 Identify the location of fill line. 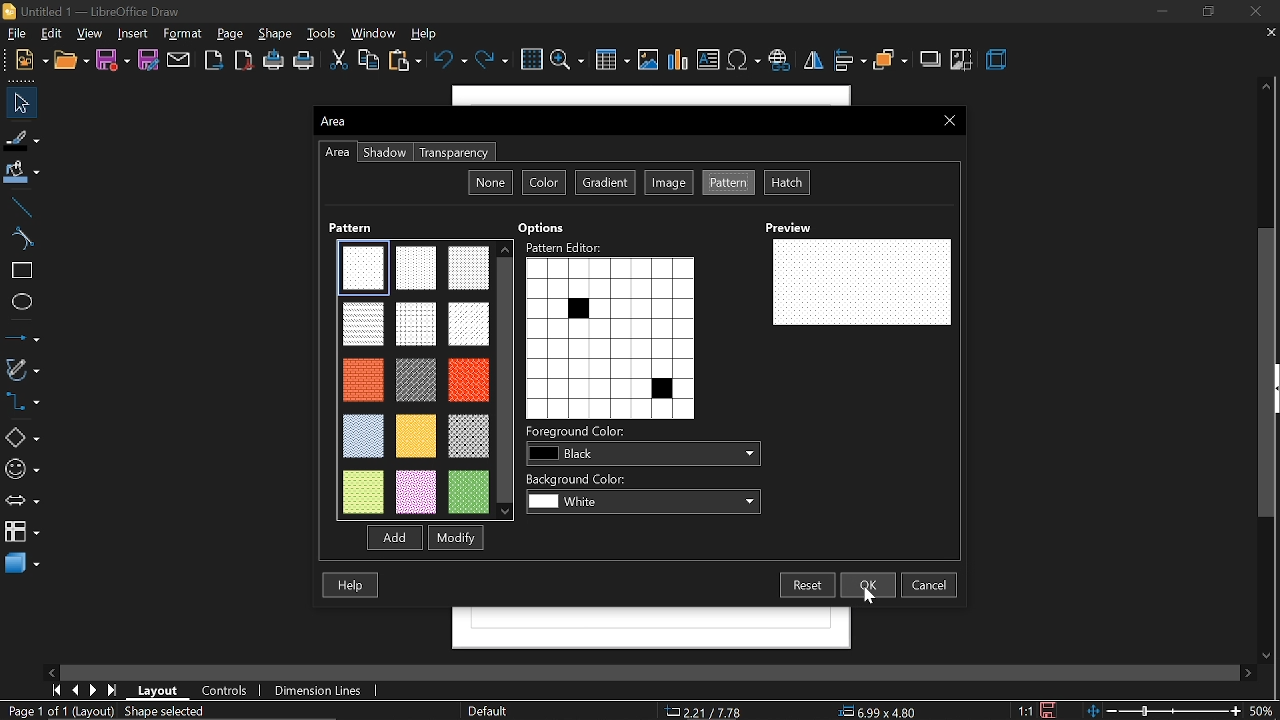
(21, 137).